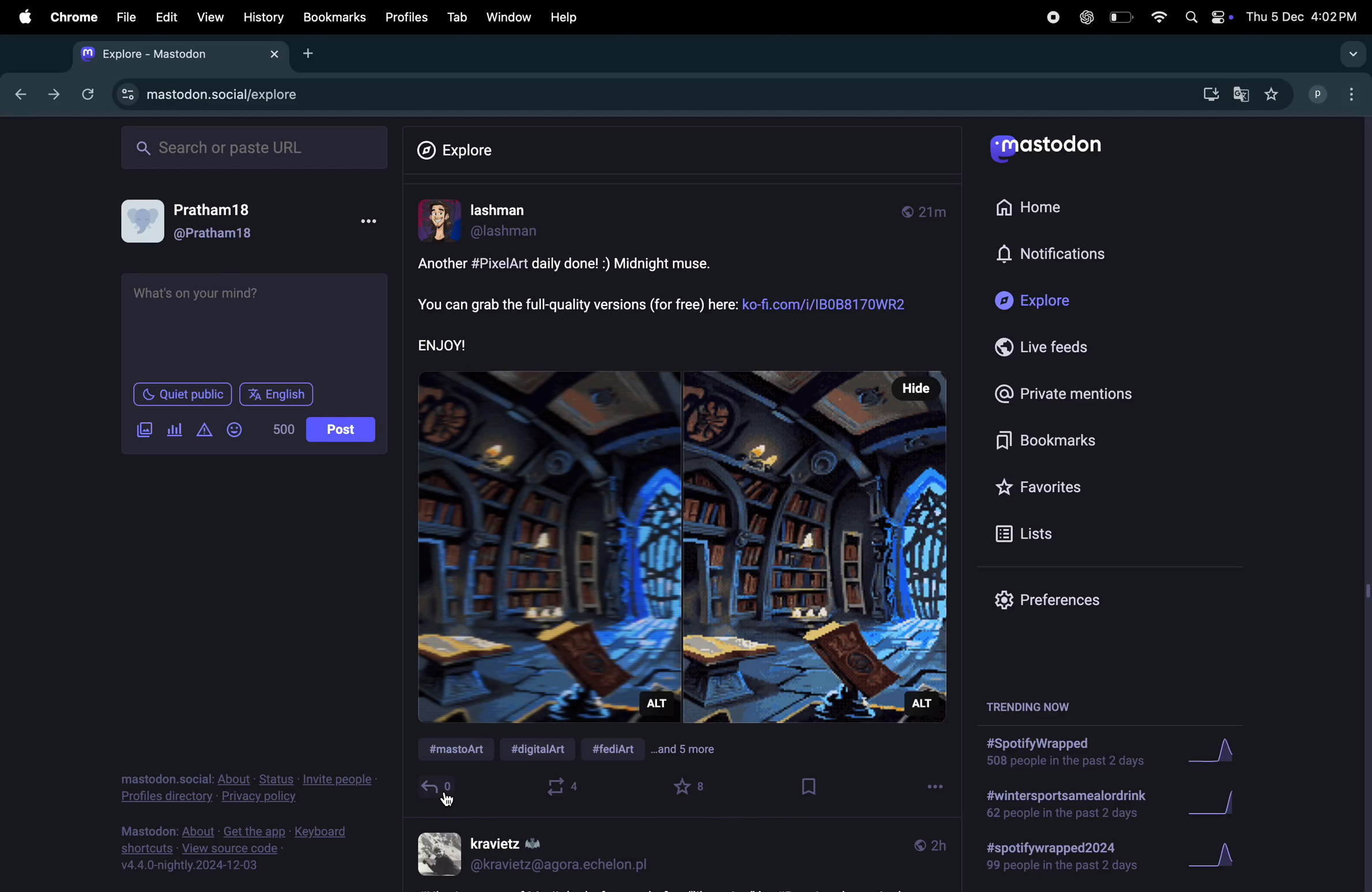 This screenshot has width=1372, height=892. What do you see at coordinates (1046, 485) in the screenshot?
I see `favourites` at bounding box center [1046, 485].